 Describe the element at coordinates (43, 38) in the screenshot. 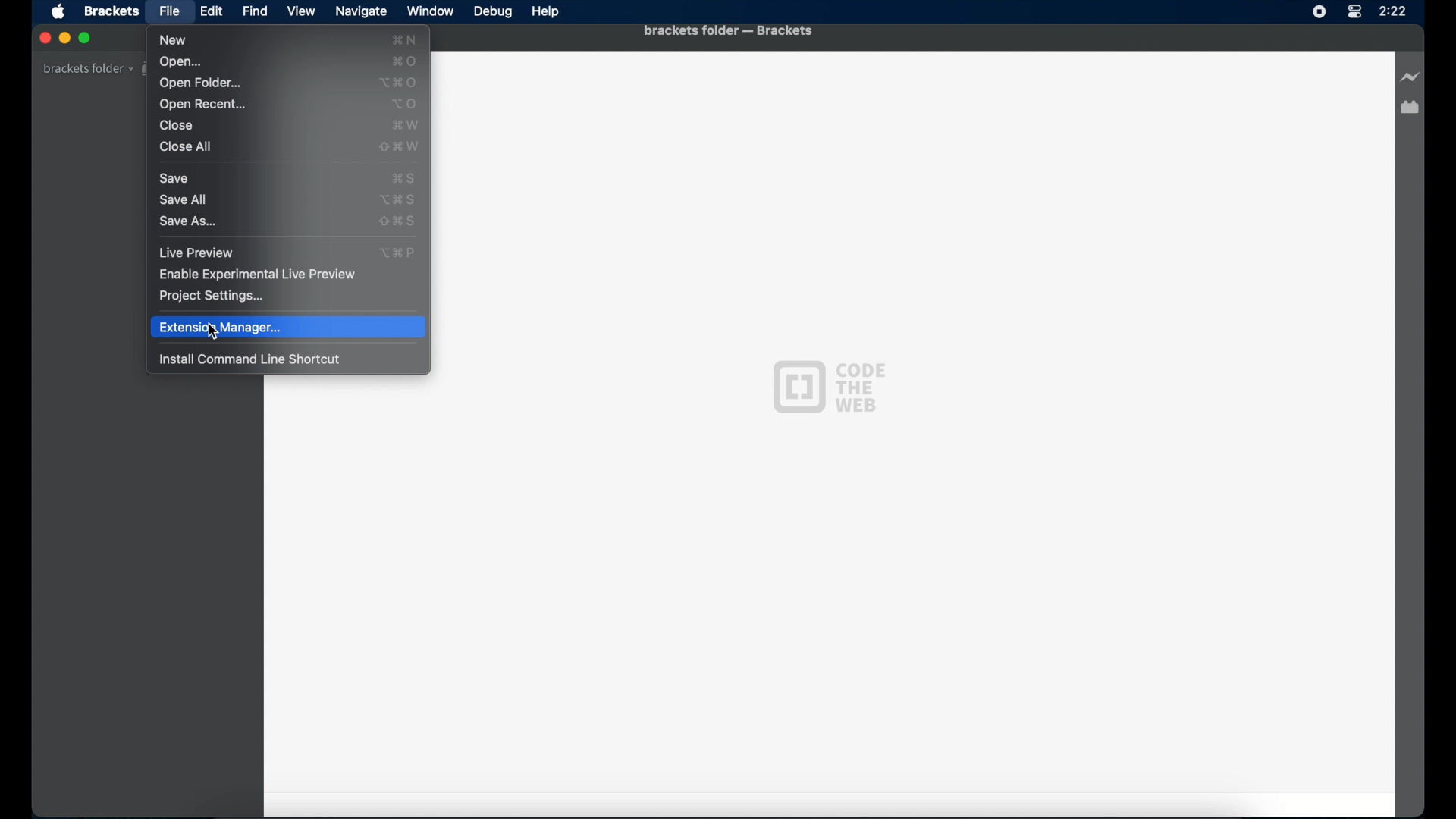

I see `close` at that location.